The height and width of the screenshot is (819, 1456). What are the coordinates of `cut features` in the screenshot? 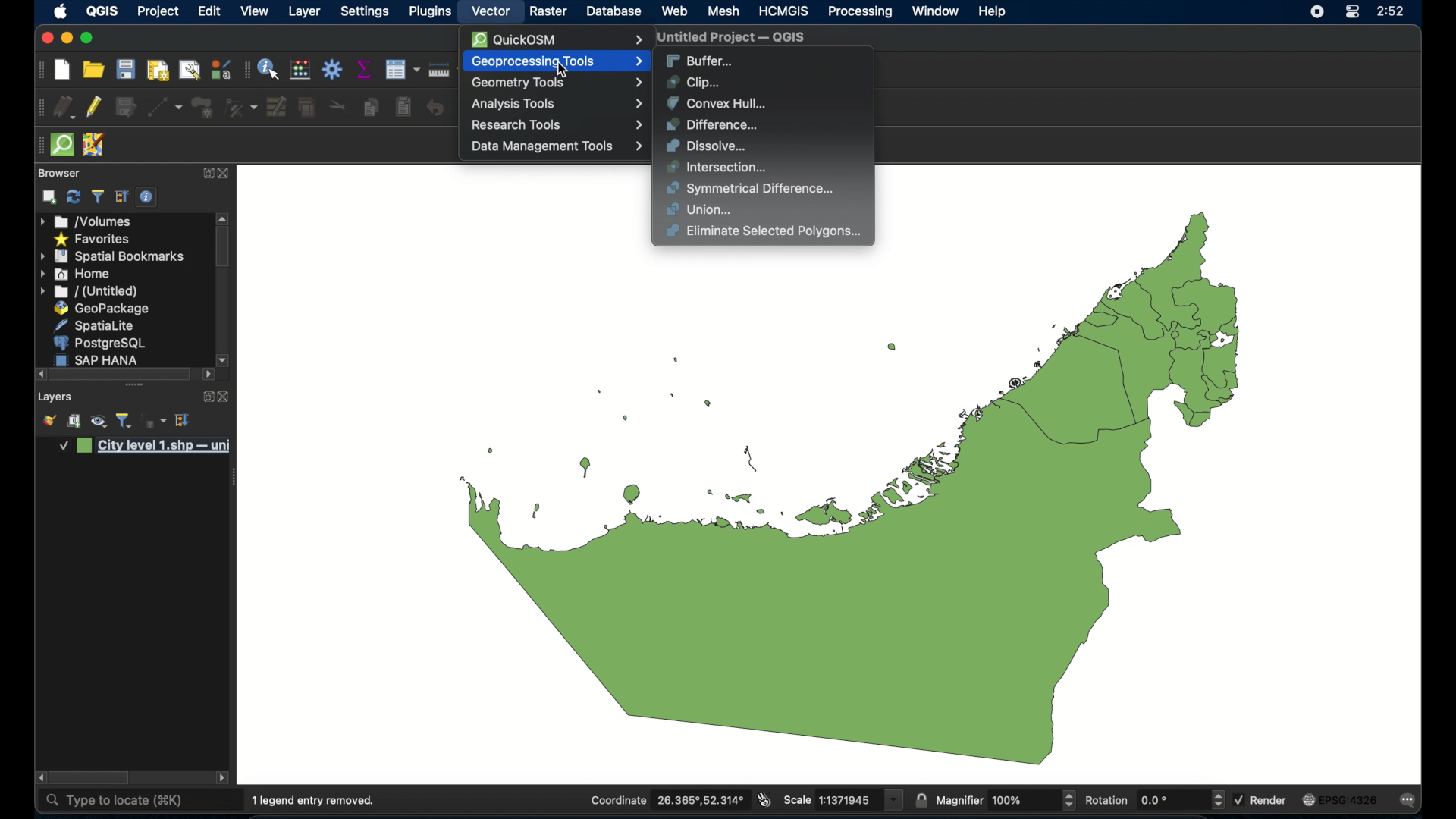 It's located at (337, 106).